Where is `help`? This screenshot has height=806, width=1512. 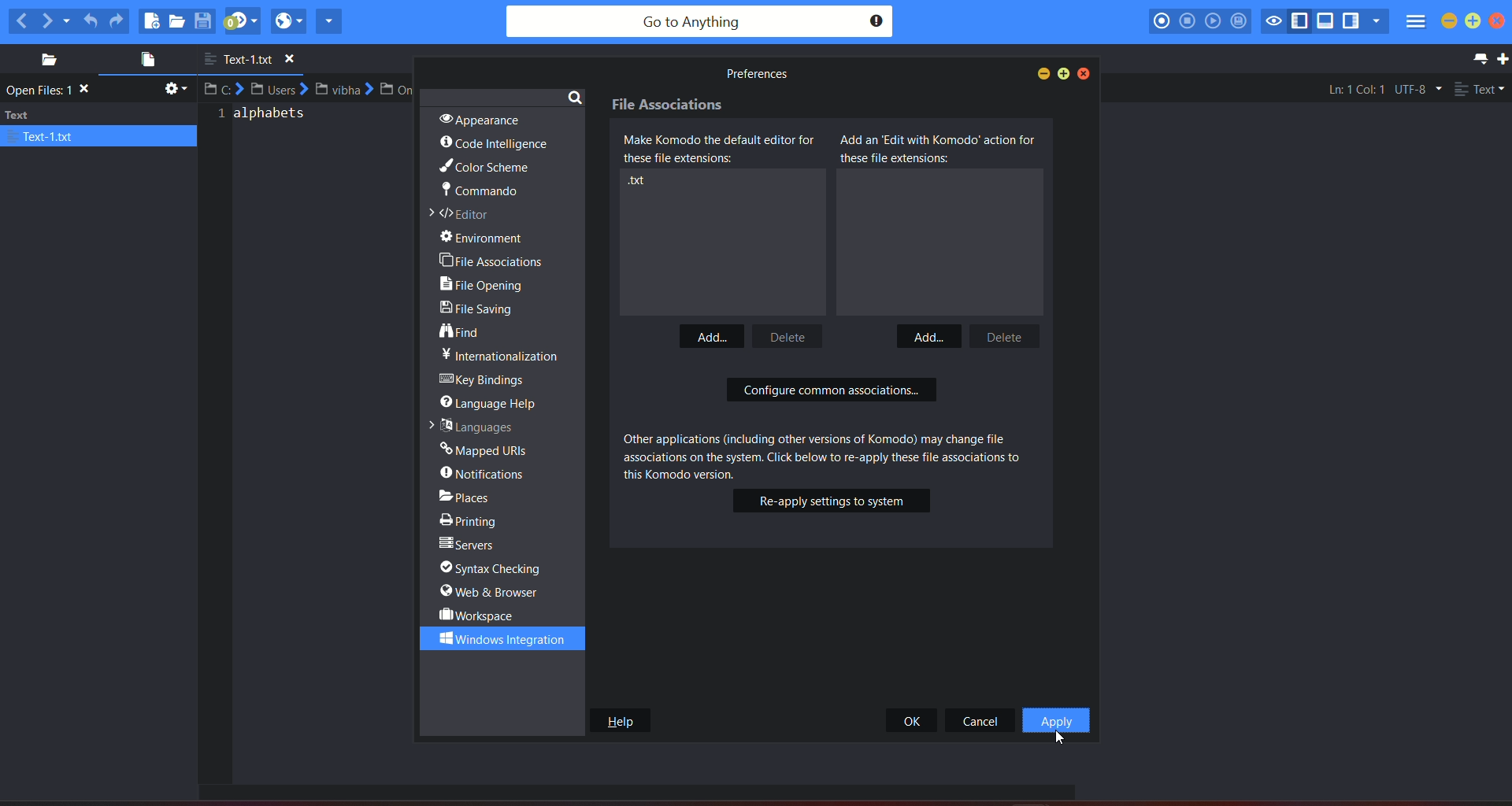
help is located at coordinates (619, 720).